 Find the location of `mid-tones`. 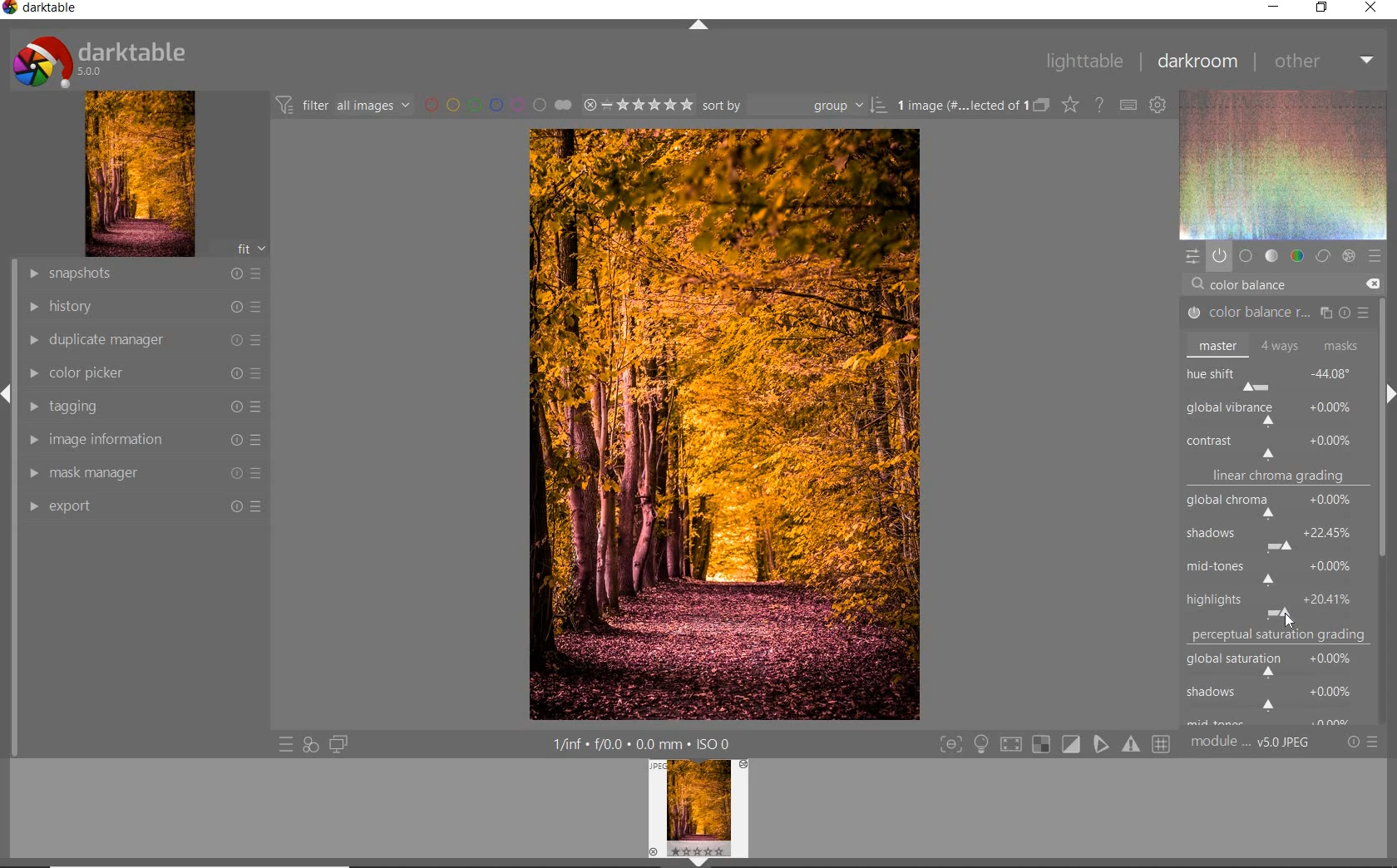

mid-tones is located at coordinates (1274, 570).